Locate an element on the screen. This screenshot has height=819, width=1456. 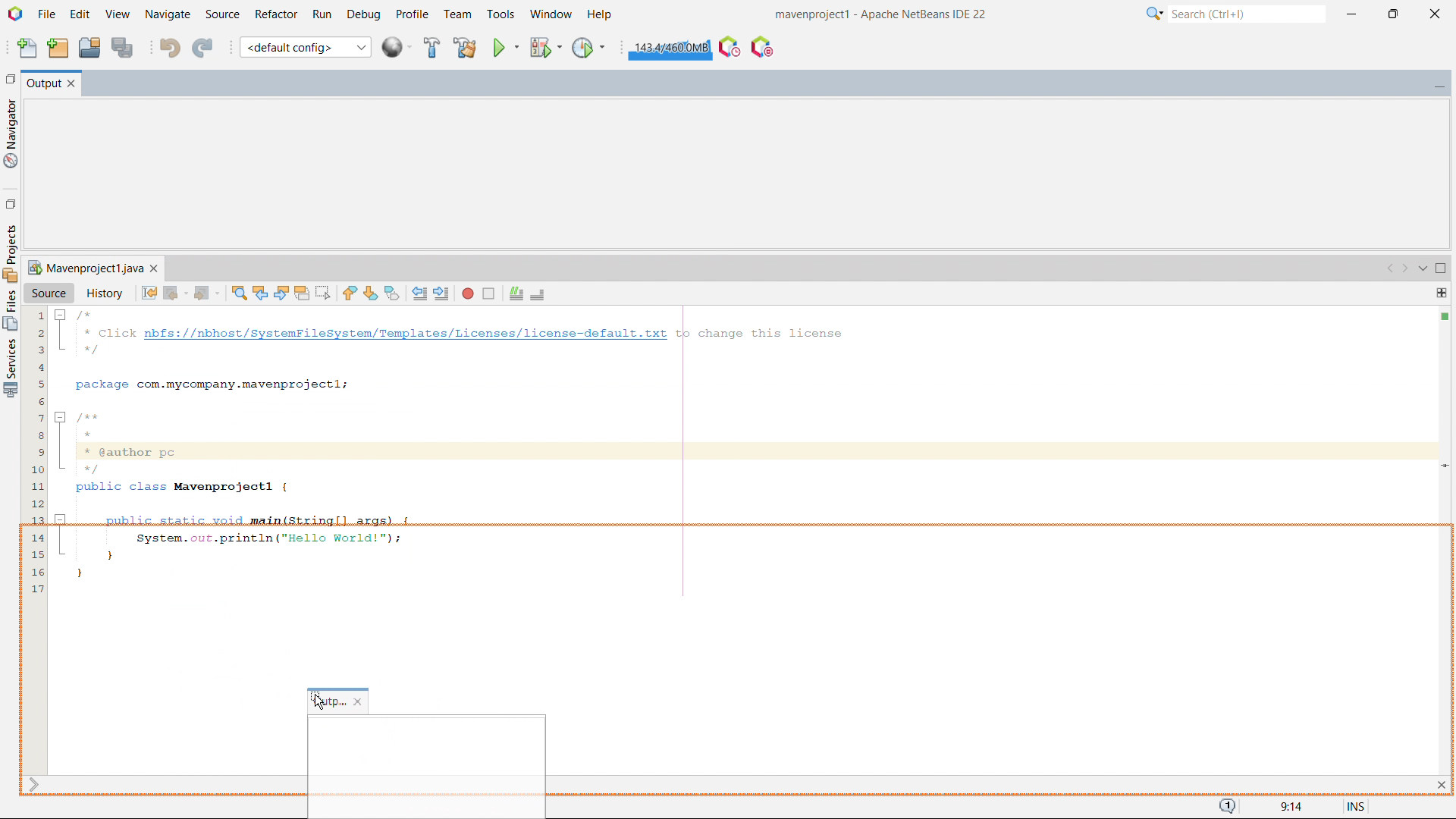
click to force garbage collection is located at coordinates (670, 48).